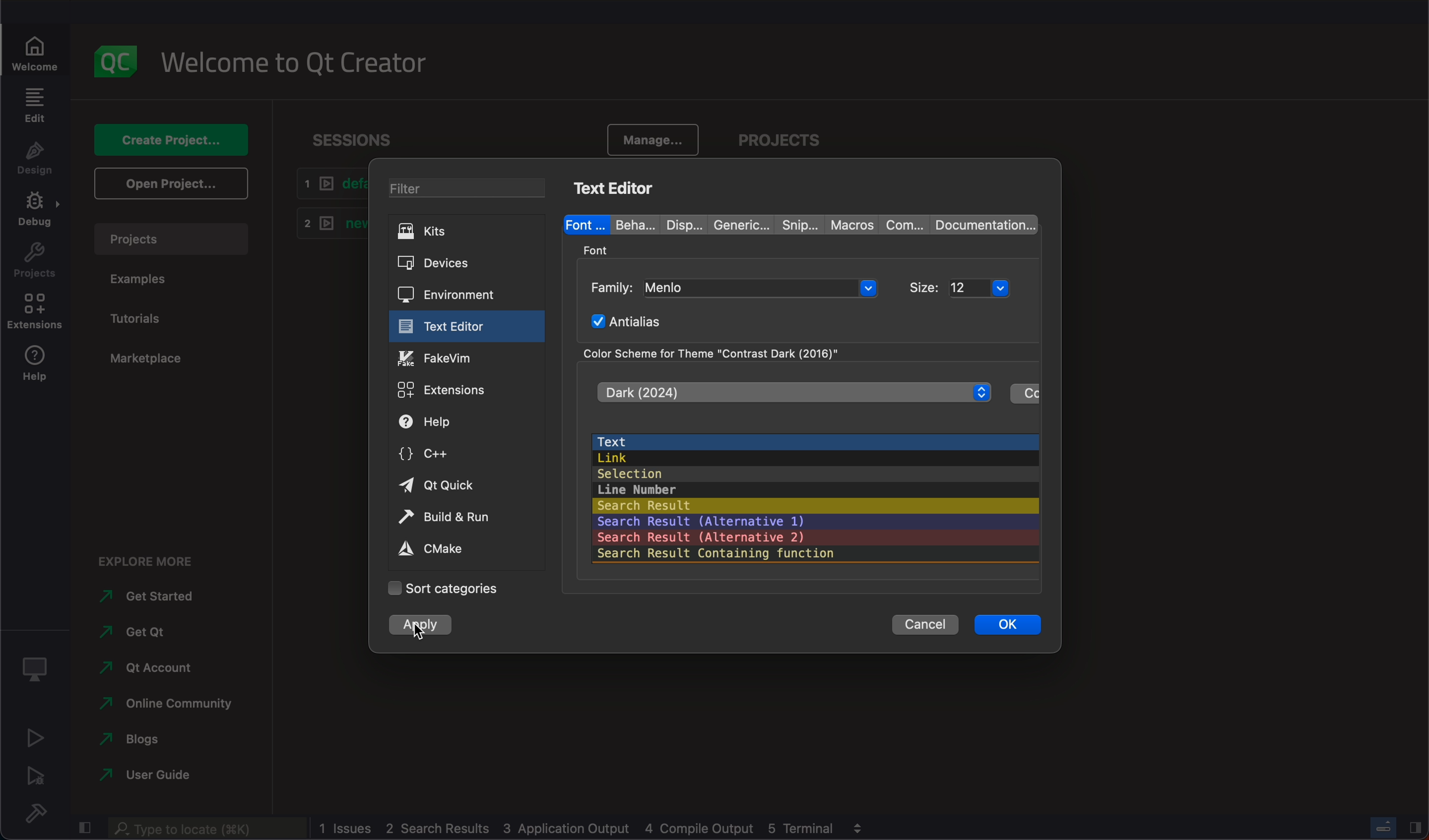 The width and height of the screenshot is (1429, 840). I want to click on cursor, so click(417, 638).